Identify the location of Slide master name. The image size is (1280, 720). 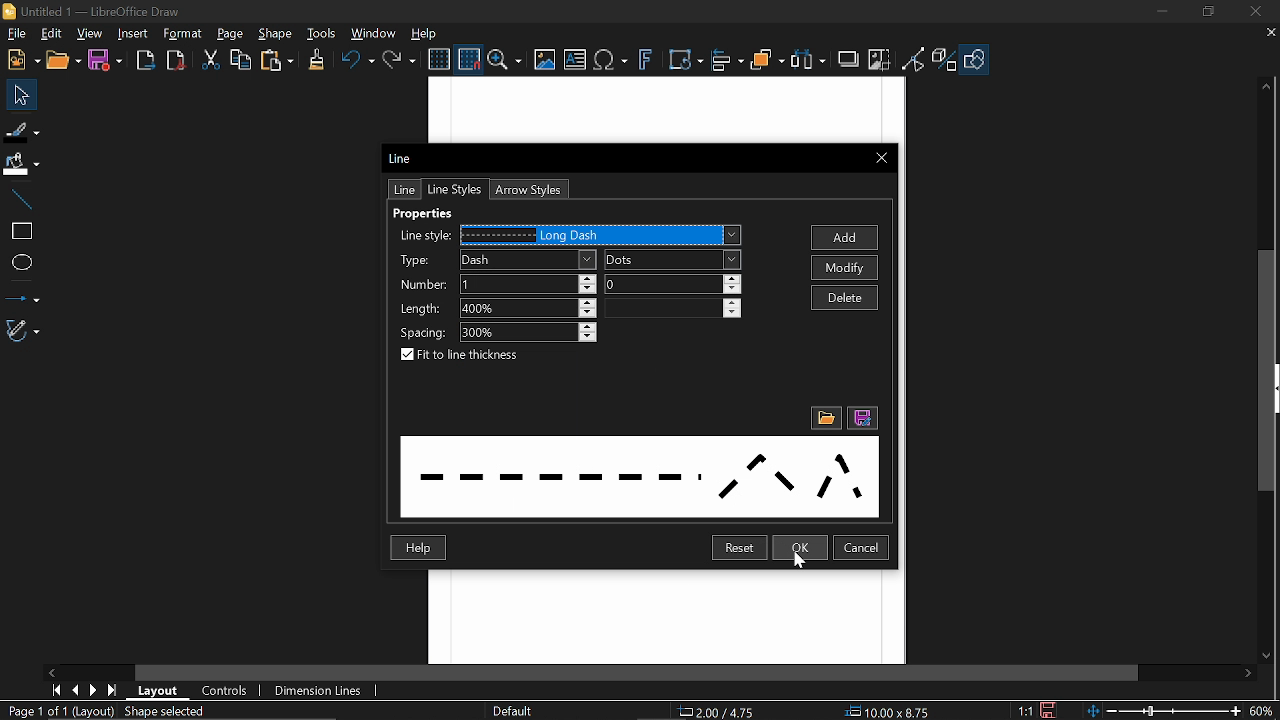
(522, 711).